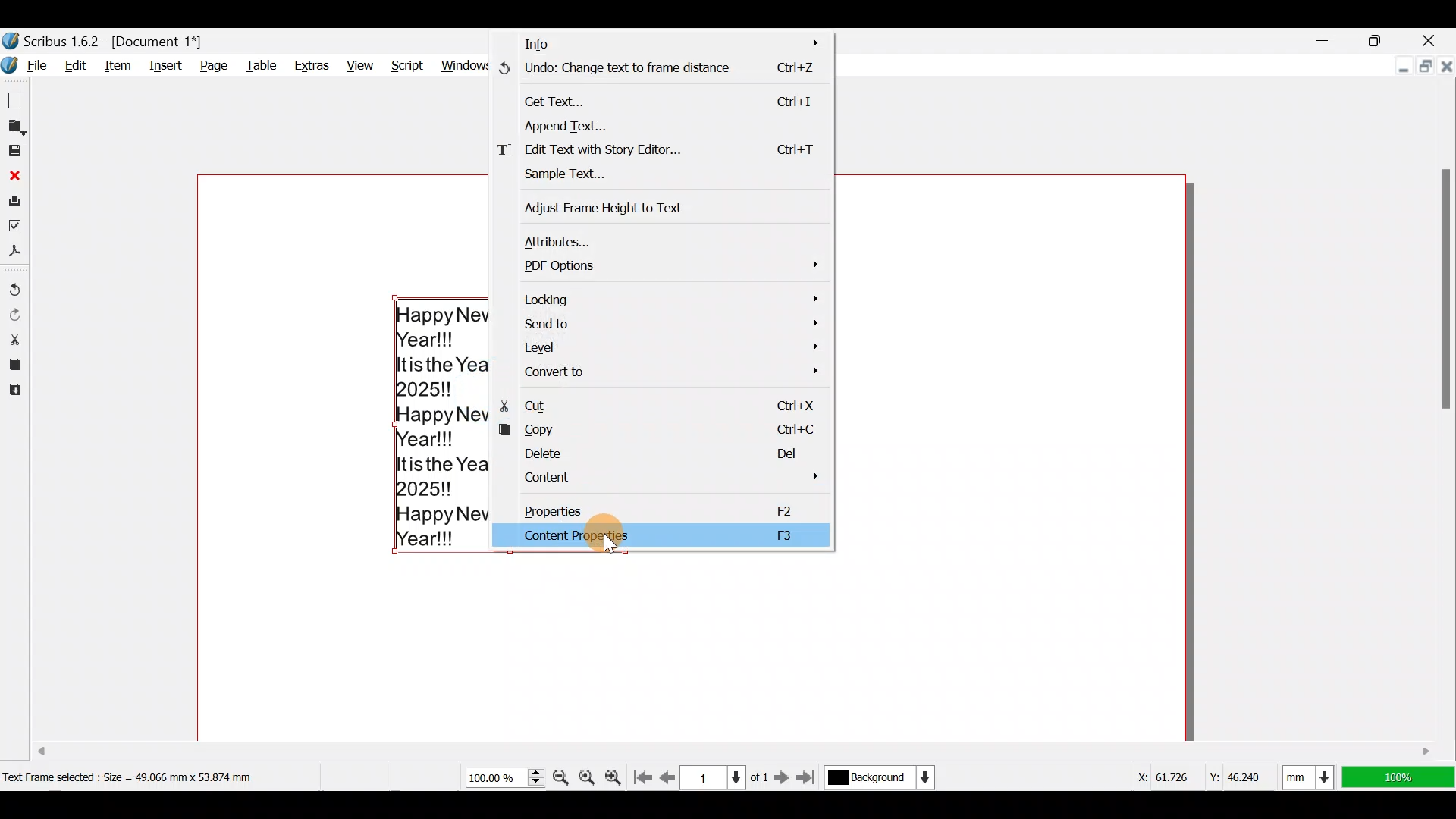  What do you see at coordinates (589, 773) in the screenshot?
I see `Zoom to 100%` at bounding box center [589, 773].